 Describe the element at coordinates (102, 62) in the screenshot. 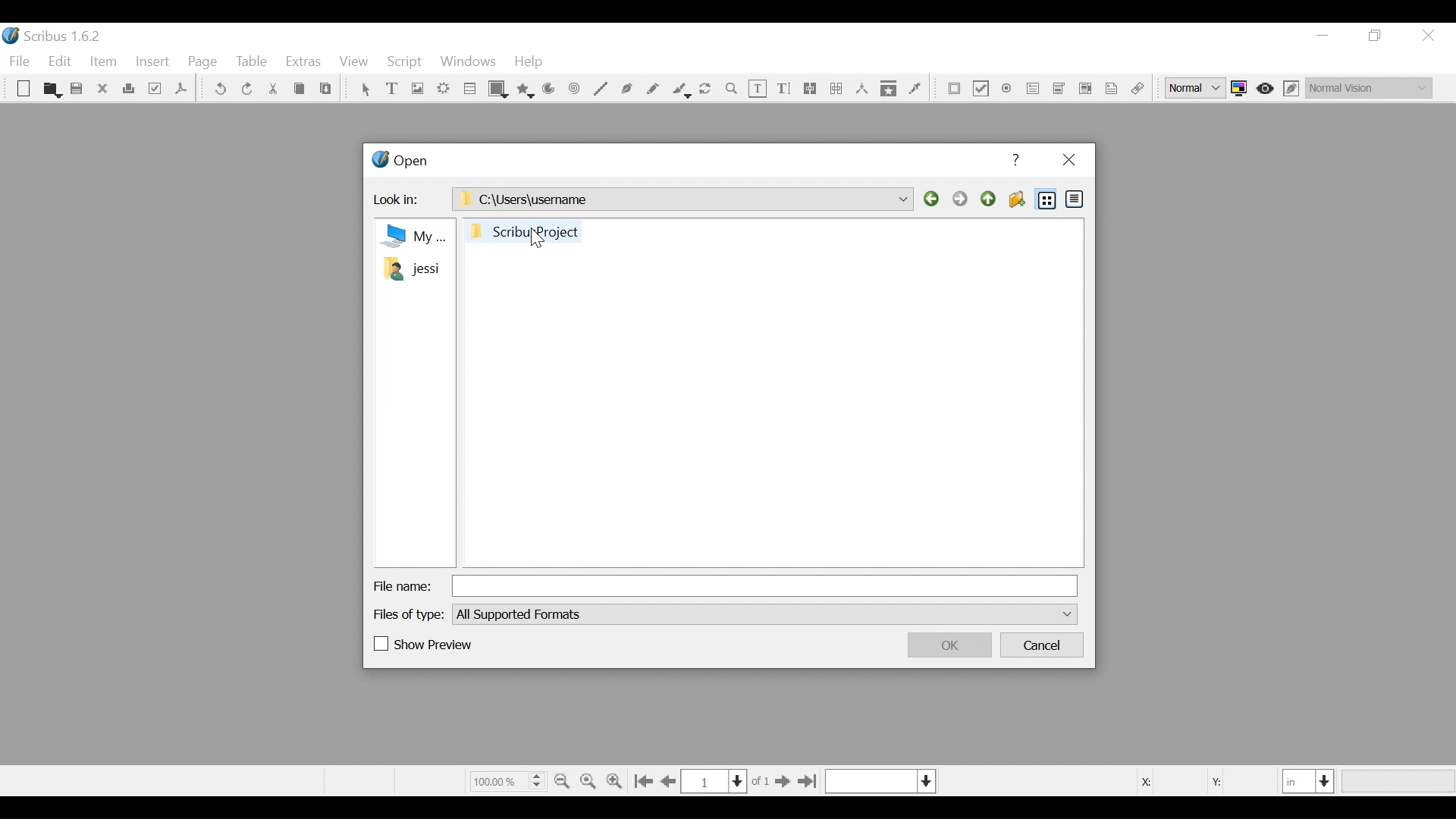

I see `Item` at that location.